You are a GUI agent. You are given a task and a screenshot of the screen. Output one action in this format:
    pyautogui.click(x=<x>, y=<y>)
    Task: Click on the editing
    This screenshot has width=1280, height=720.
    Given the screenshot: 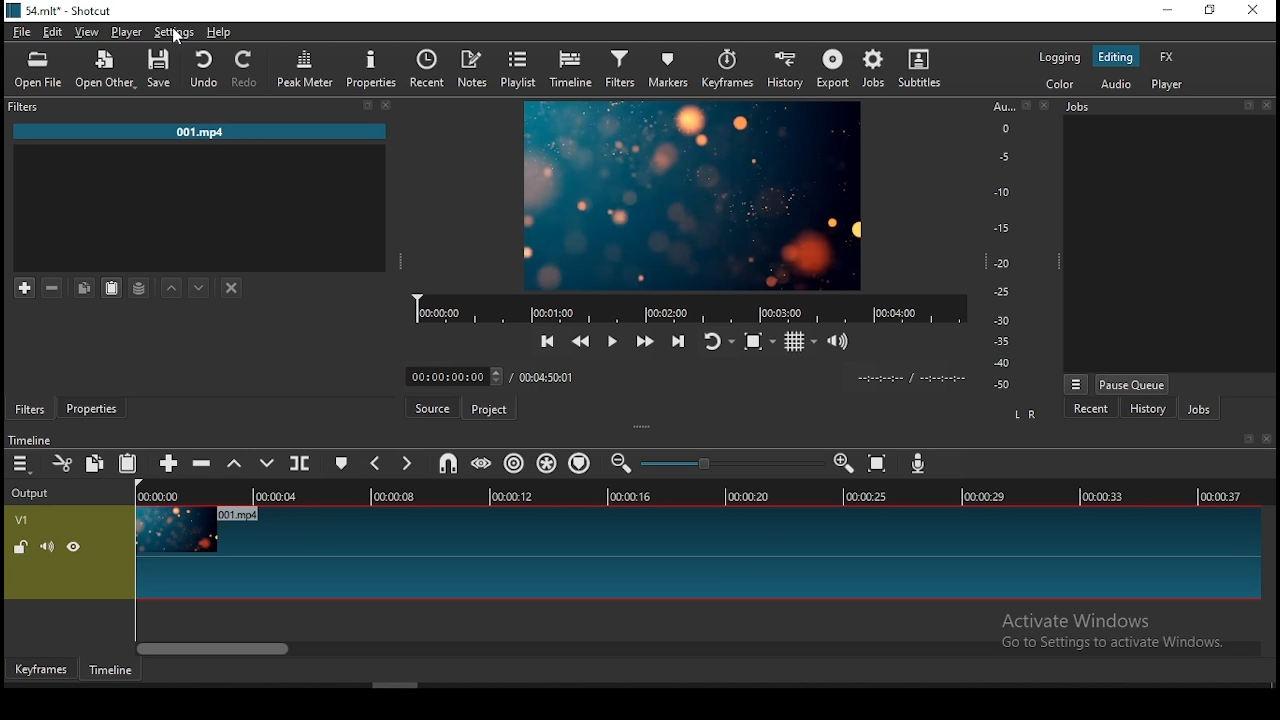 What is the action you would take?
    pyautogui.click(x=1116, y=57)
    